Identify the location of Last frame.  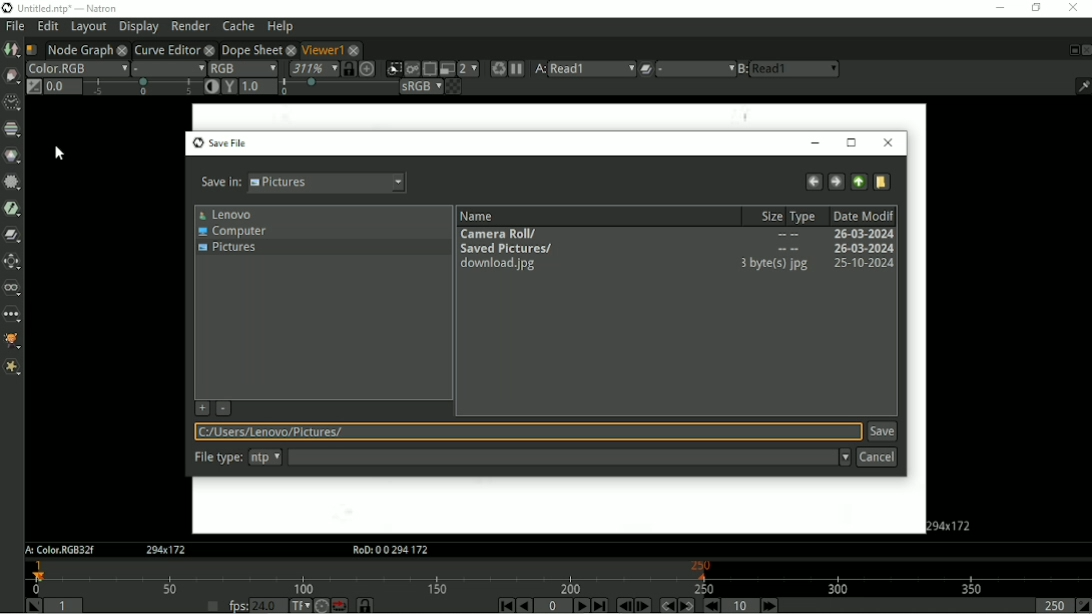
(599, 605).